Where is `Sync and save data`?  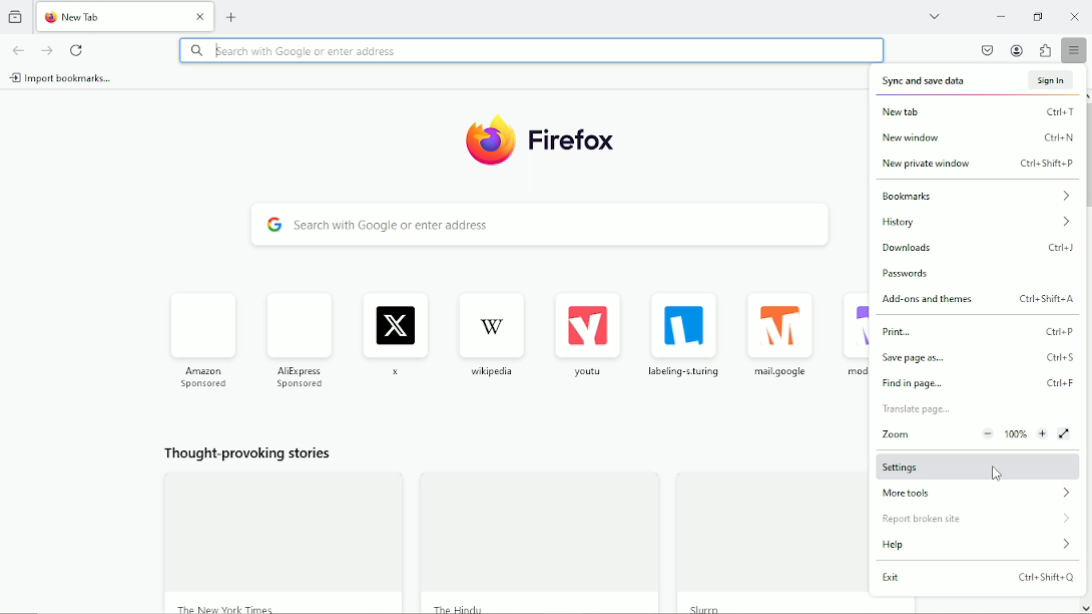 Sync and save data is located at coordinates (979, 79).